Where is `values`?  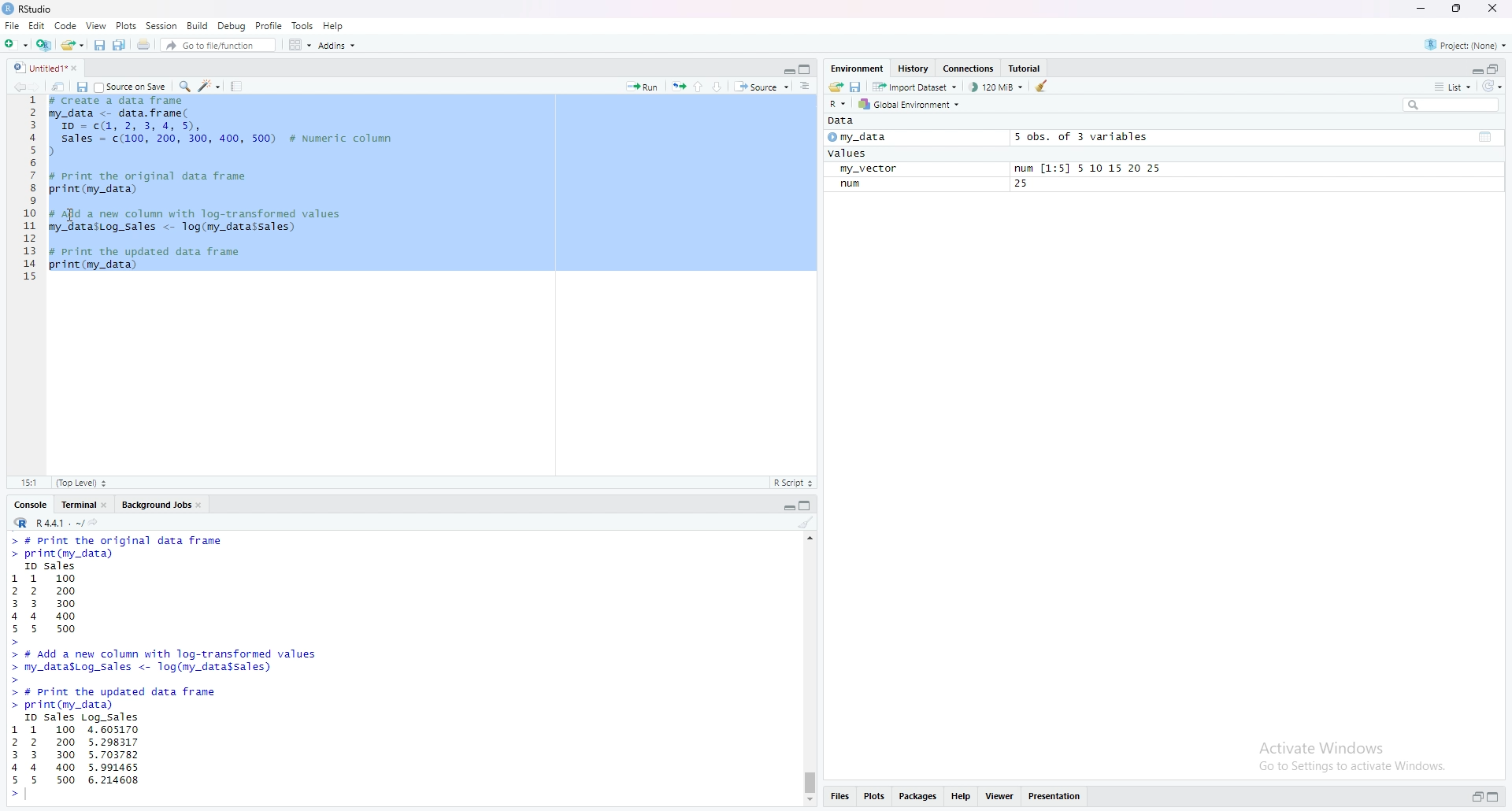 values is located at coordinates (847, 154).